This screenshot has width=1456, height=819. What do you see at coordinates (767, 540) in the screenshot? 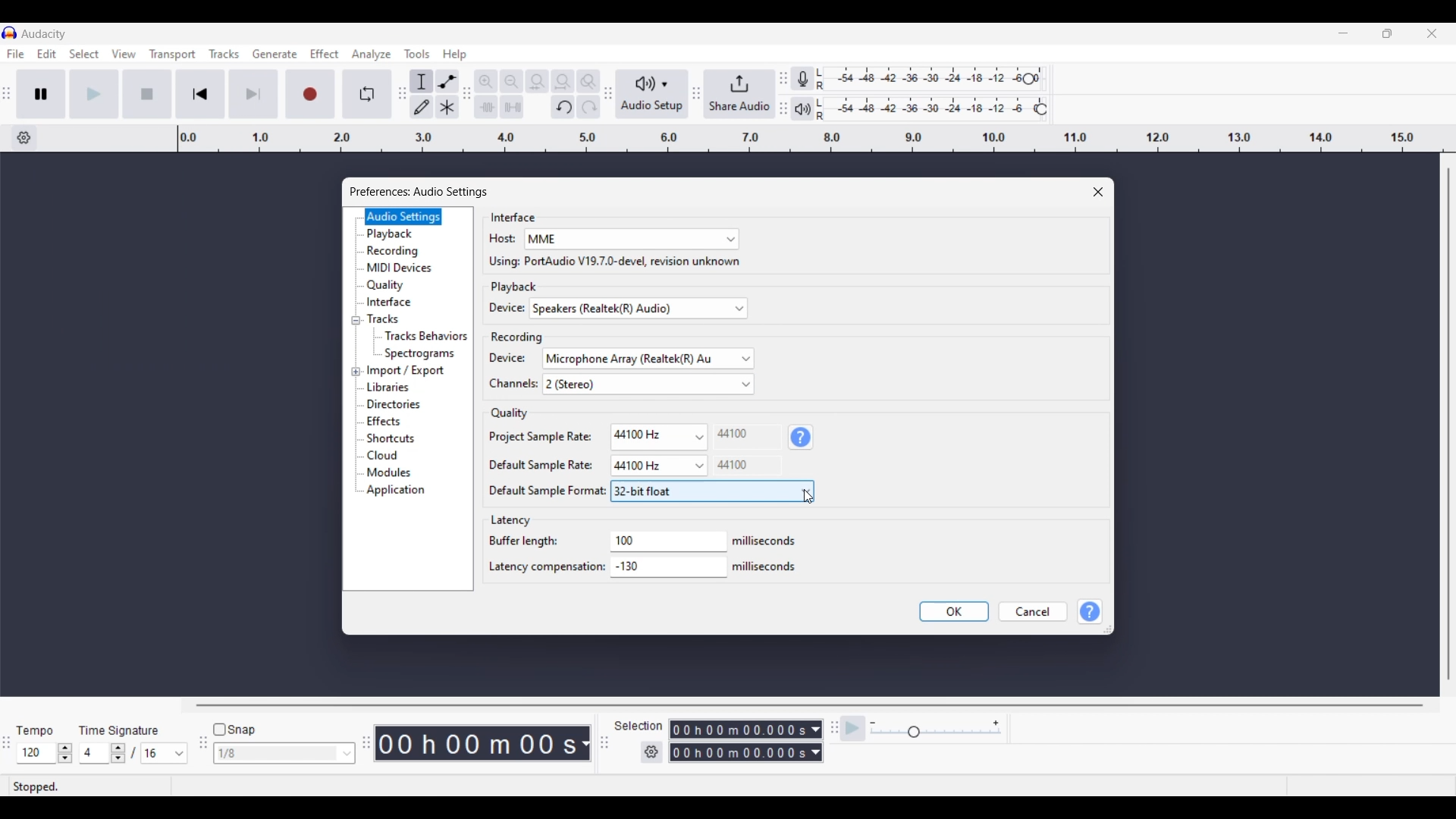
I see `‘milliseconds` at bounding box center [767, 540].